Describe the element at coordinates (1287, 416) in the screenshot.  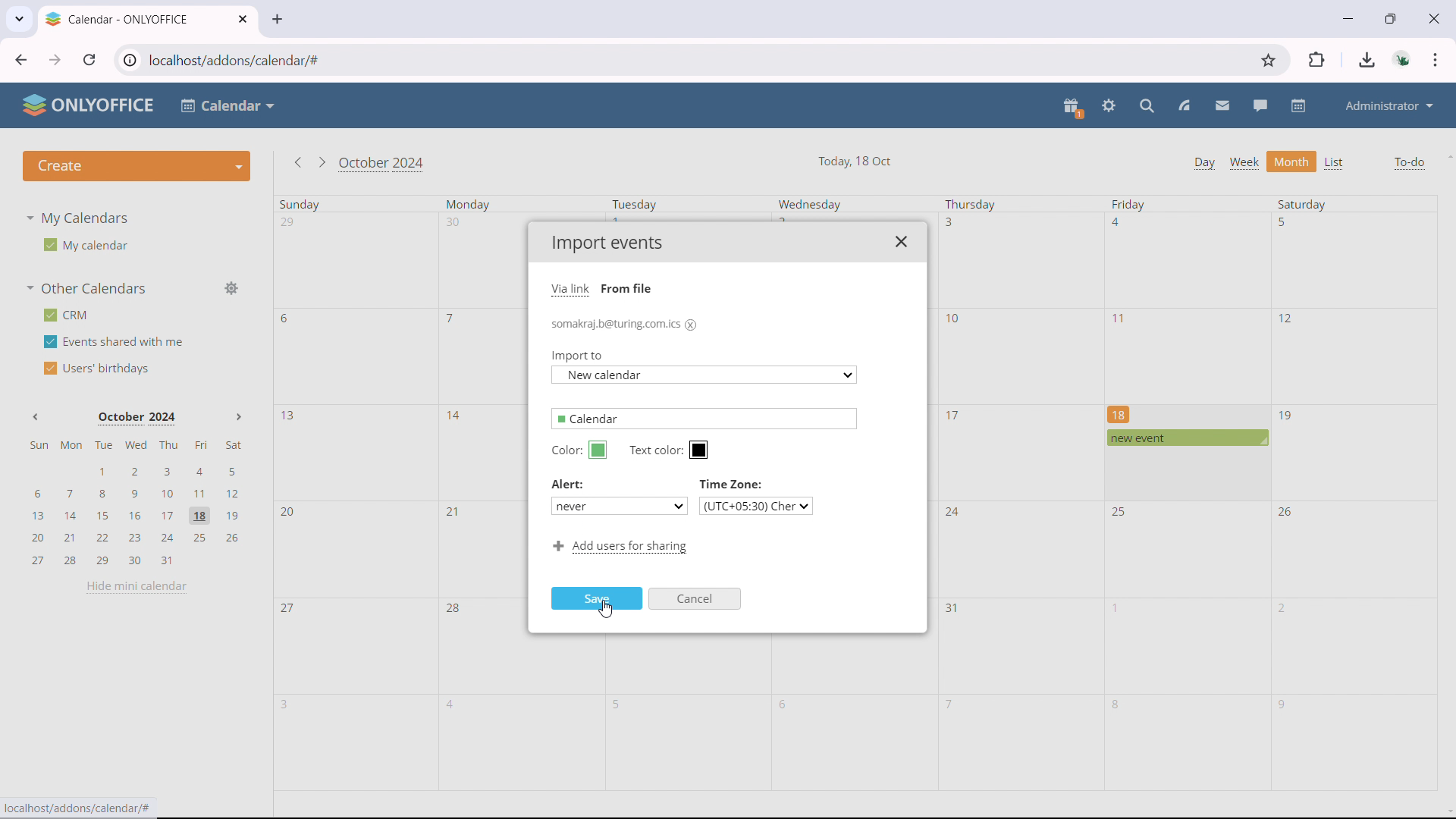
I see `19` at that location.